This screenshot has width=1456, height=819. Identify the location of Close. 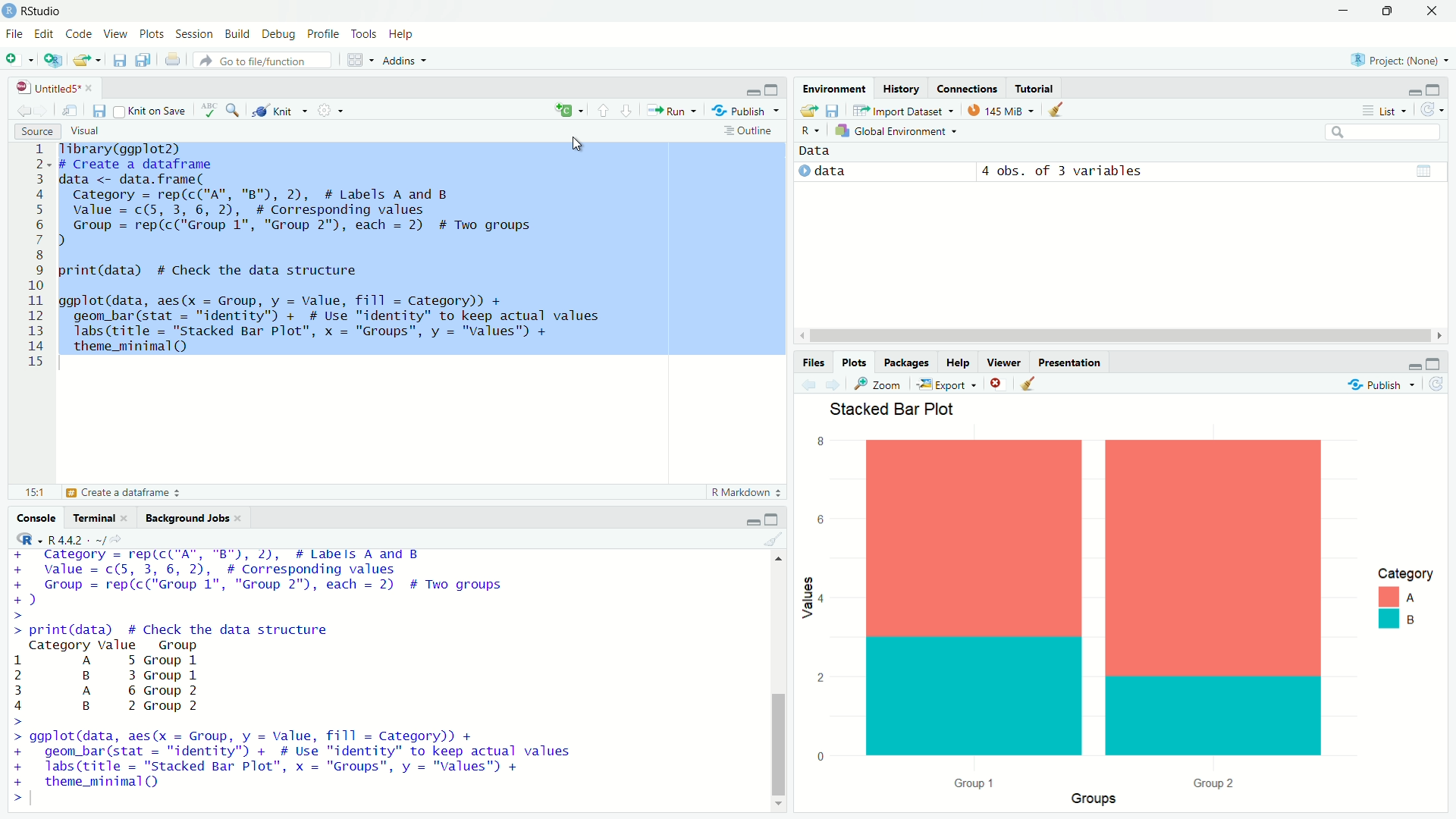
(1435, 12).